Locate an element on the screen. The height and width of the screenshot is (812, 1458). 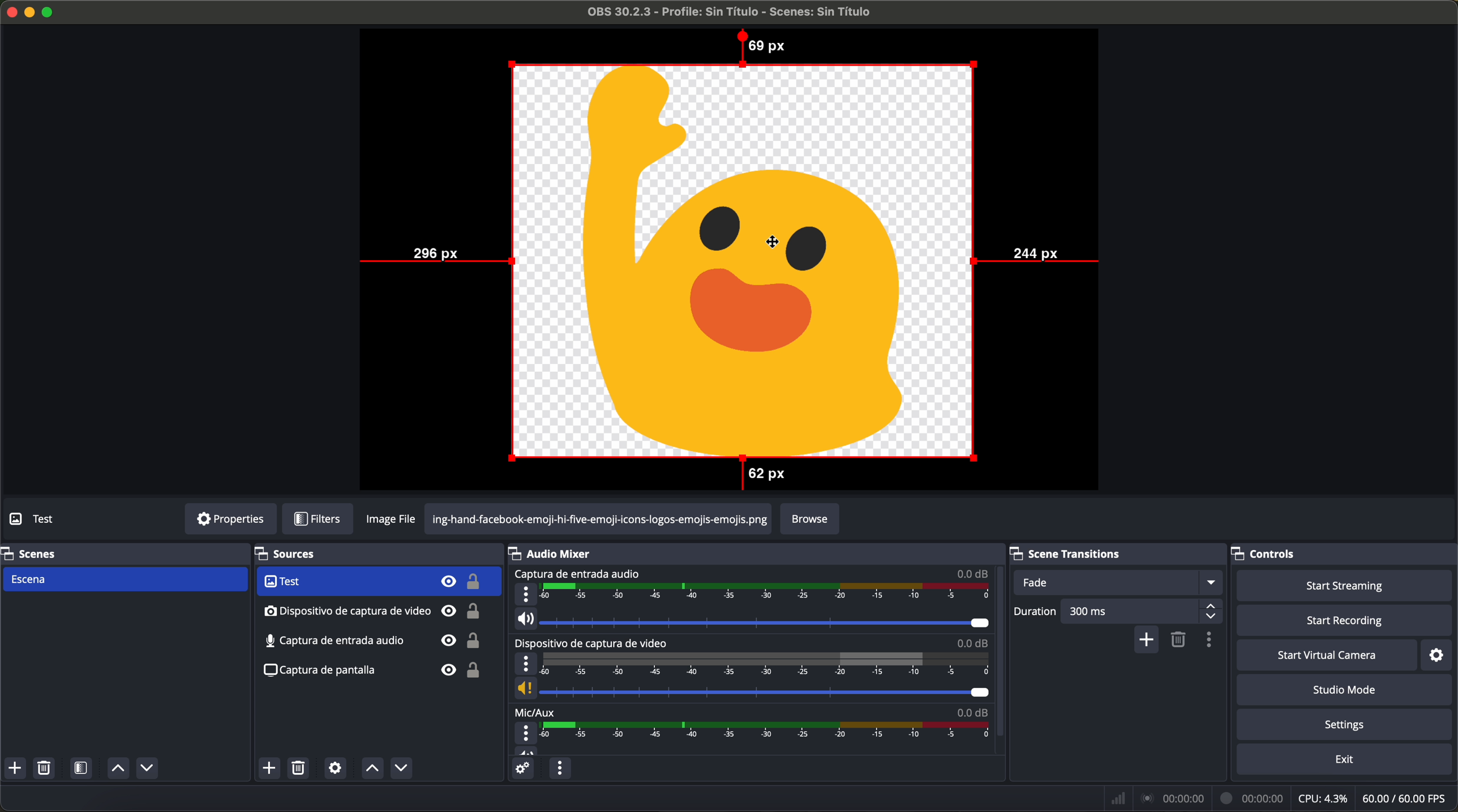
png url is located at coordinates (598, 518).